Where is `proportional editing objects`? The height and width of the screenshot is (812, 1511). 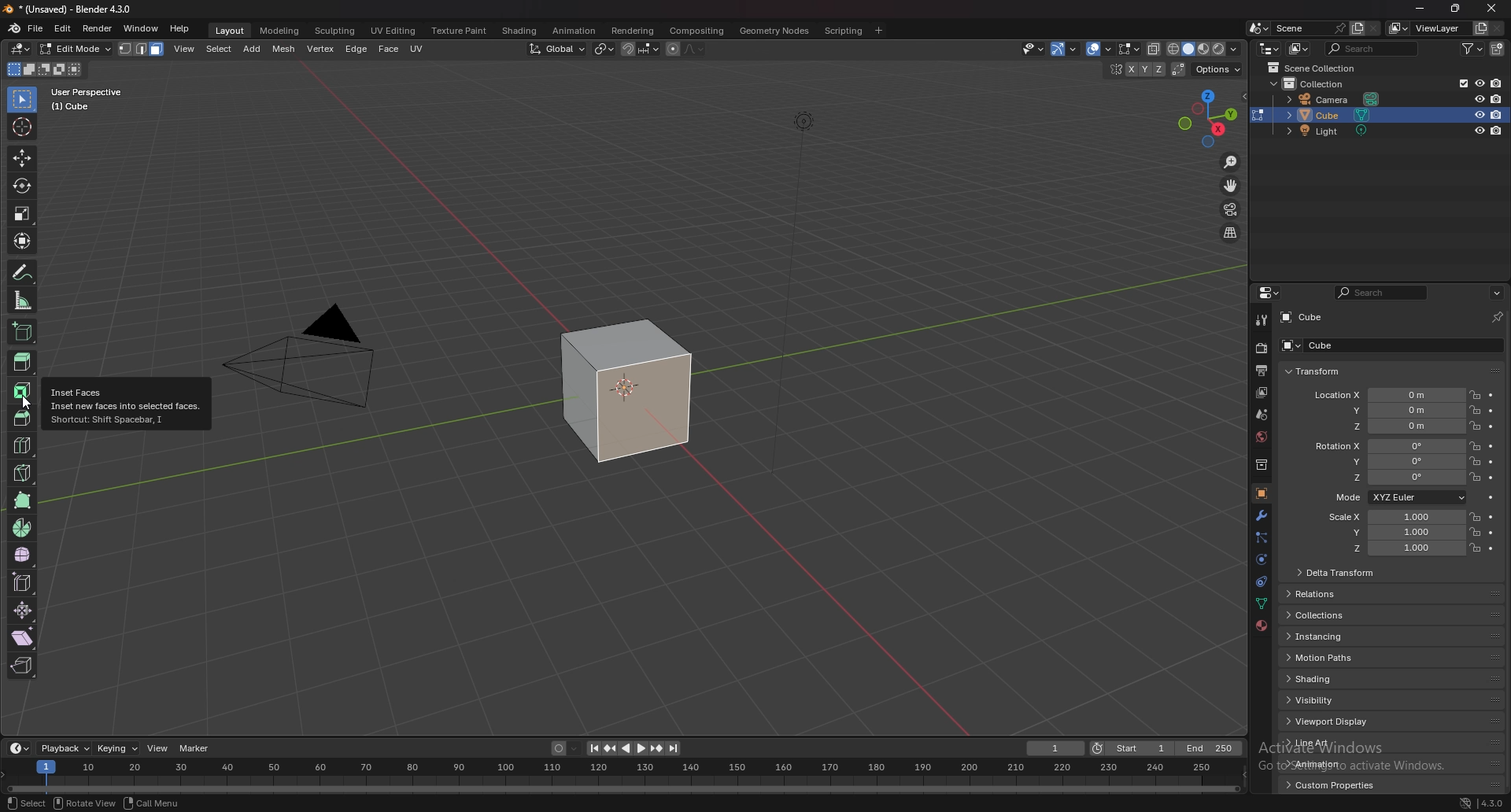 proportional editing objects is located at coordinates (672, 50).